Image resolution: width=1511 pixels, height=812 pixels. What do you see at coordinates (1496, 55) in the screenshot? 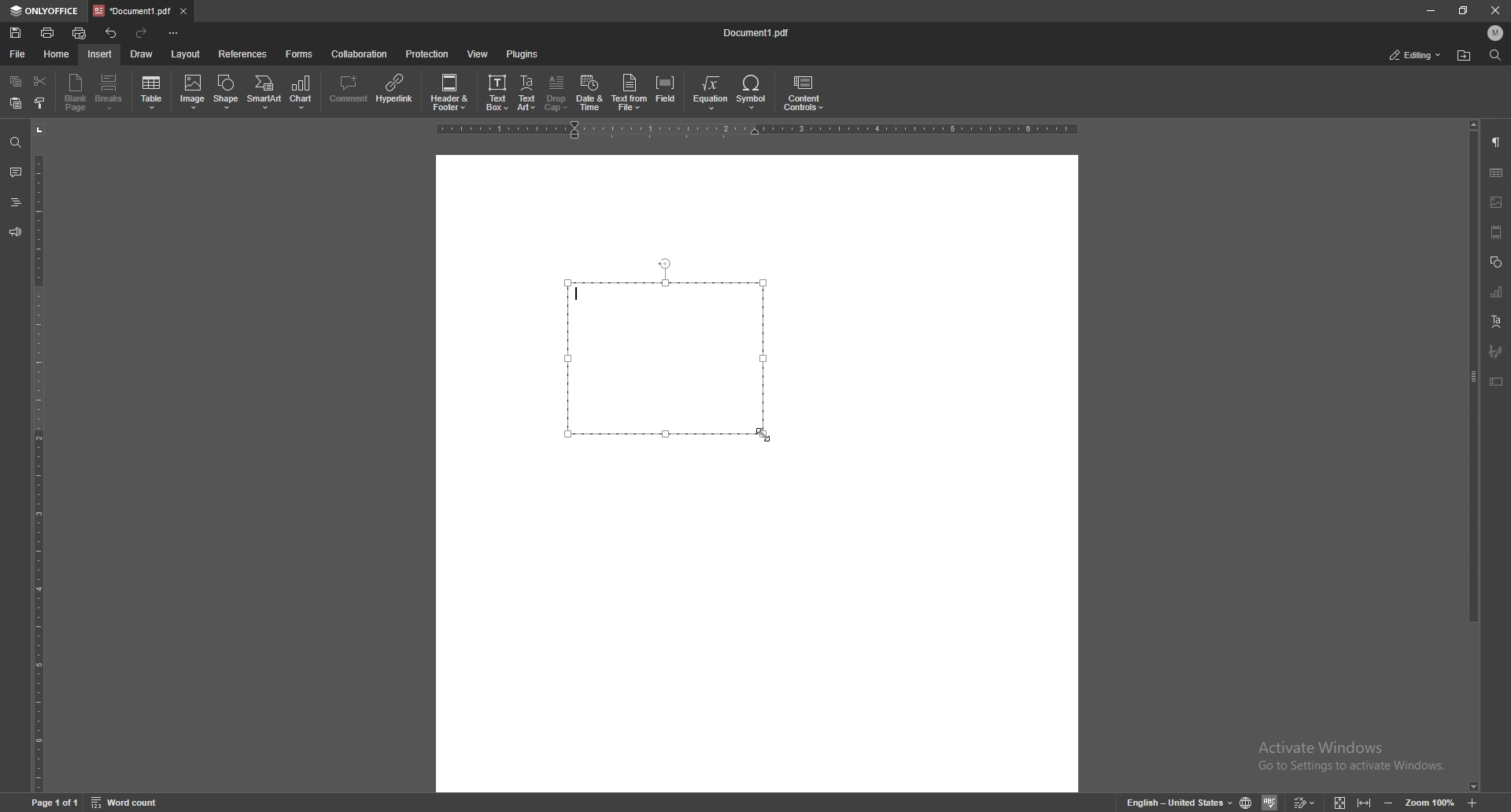
I see `find` at bounding box center [1496, 55].